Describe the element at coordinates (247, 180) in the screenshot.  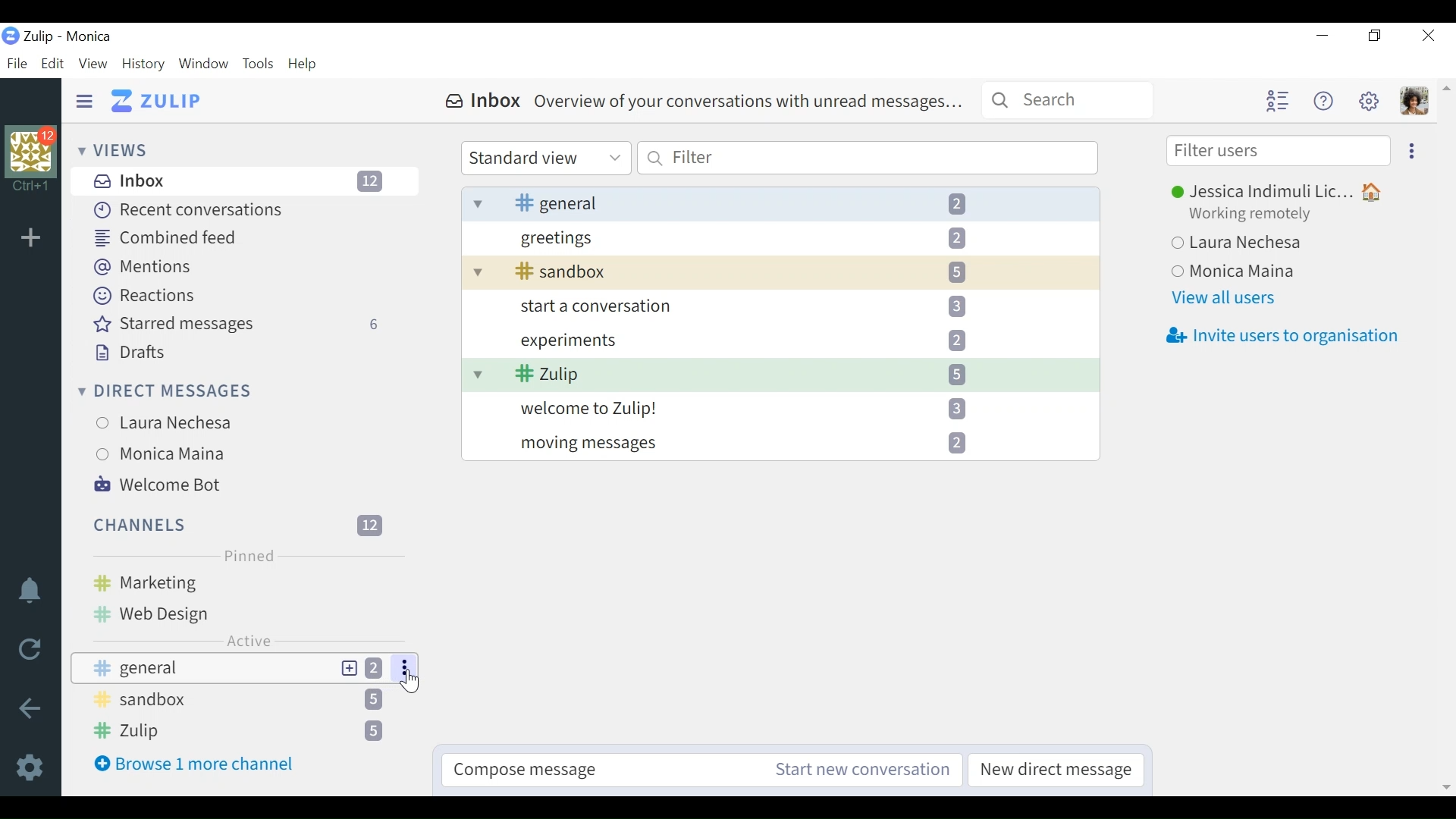
I see `Inbox 12` at that location.